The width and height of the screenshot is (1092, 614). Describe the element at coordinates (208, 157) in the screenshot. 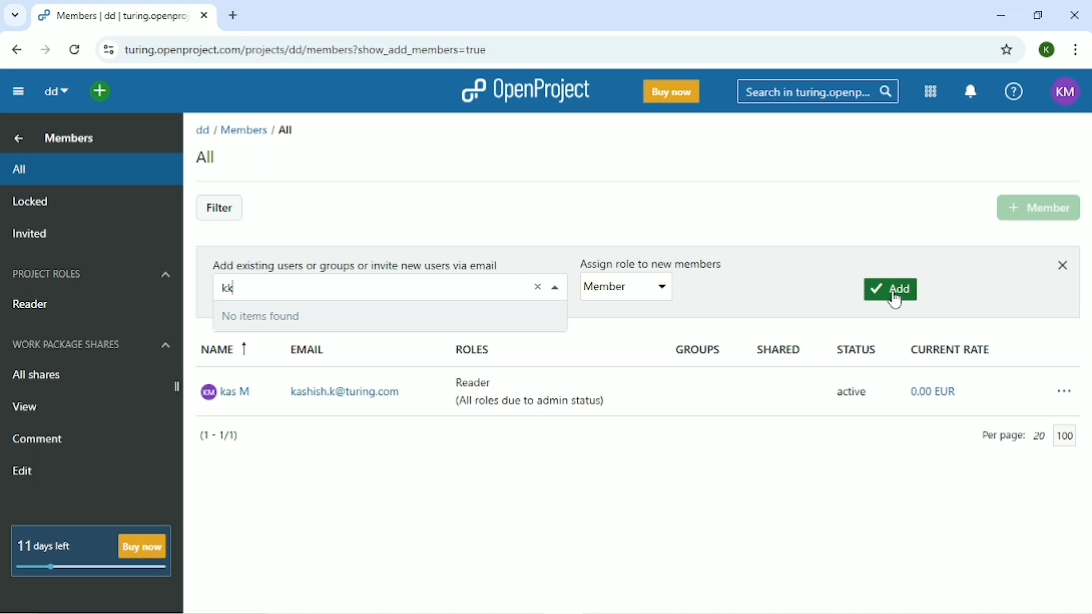

I see `All` at that location.